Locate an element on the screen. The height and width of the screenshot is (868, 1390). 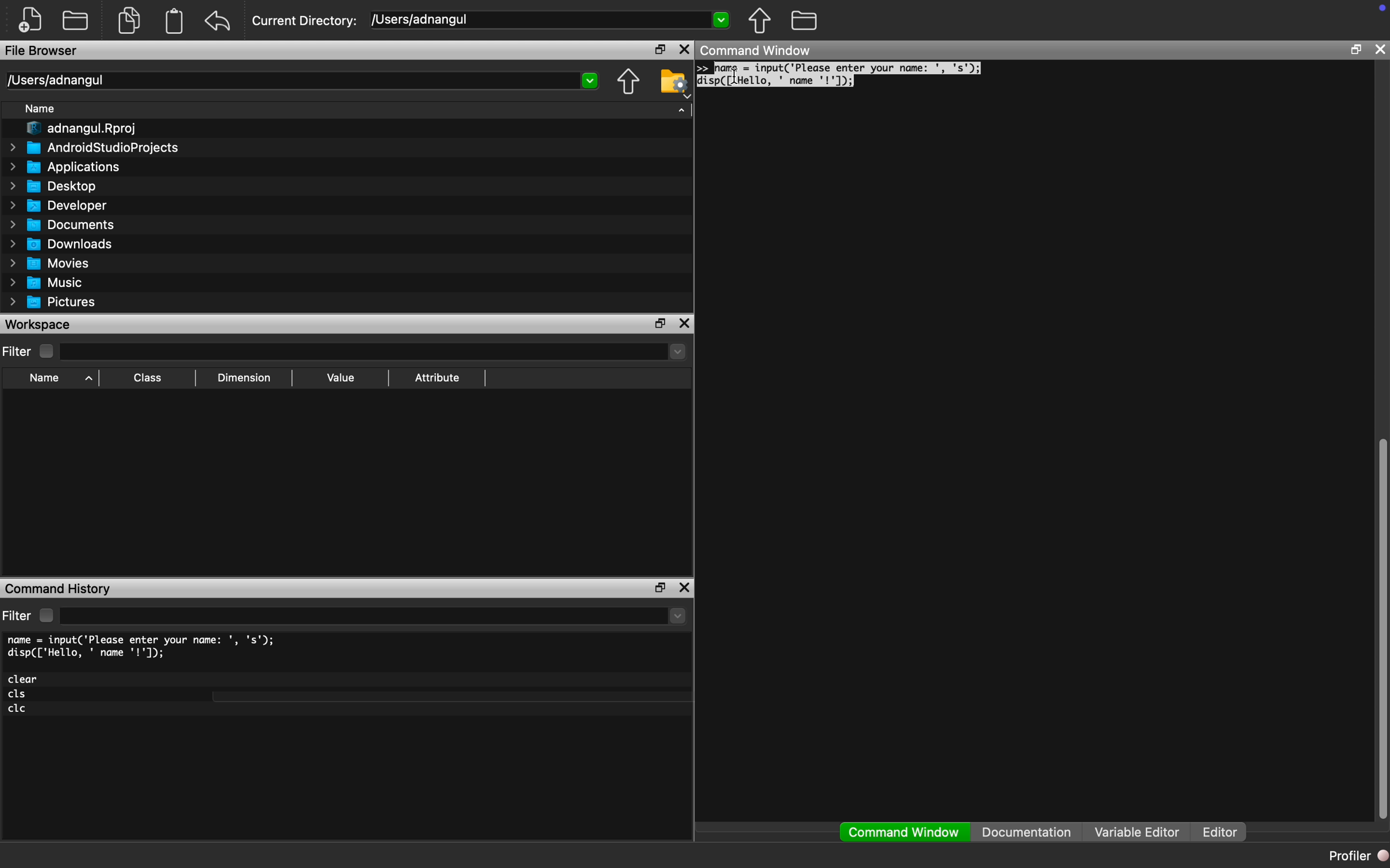
dropdown is located at coordinates (720, 18).